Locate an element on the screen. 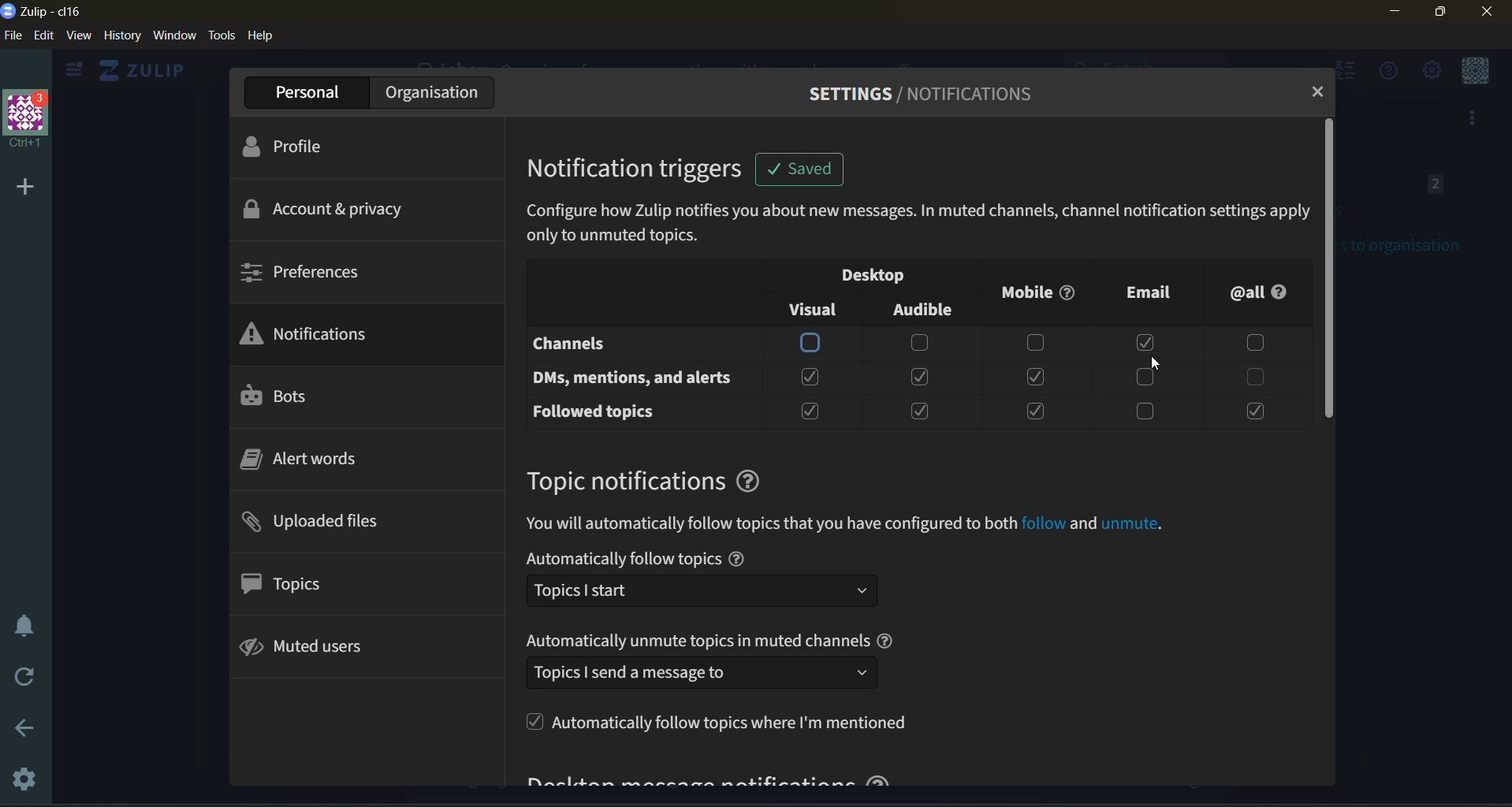 The image size is (1512, 807). checkbox is located at coordinates (922, 413).